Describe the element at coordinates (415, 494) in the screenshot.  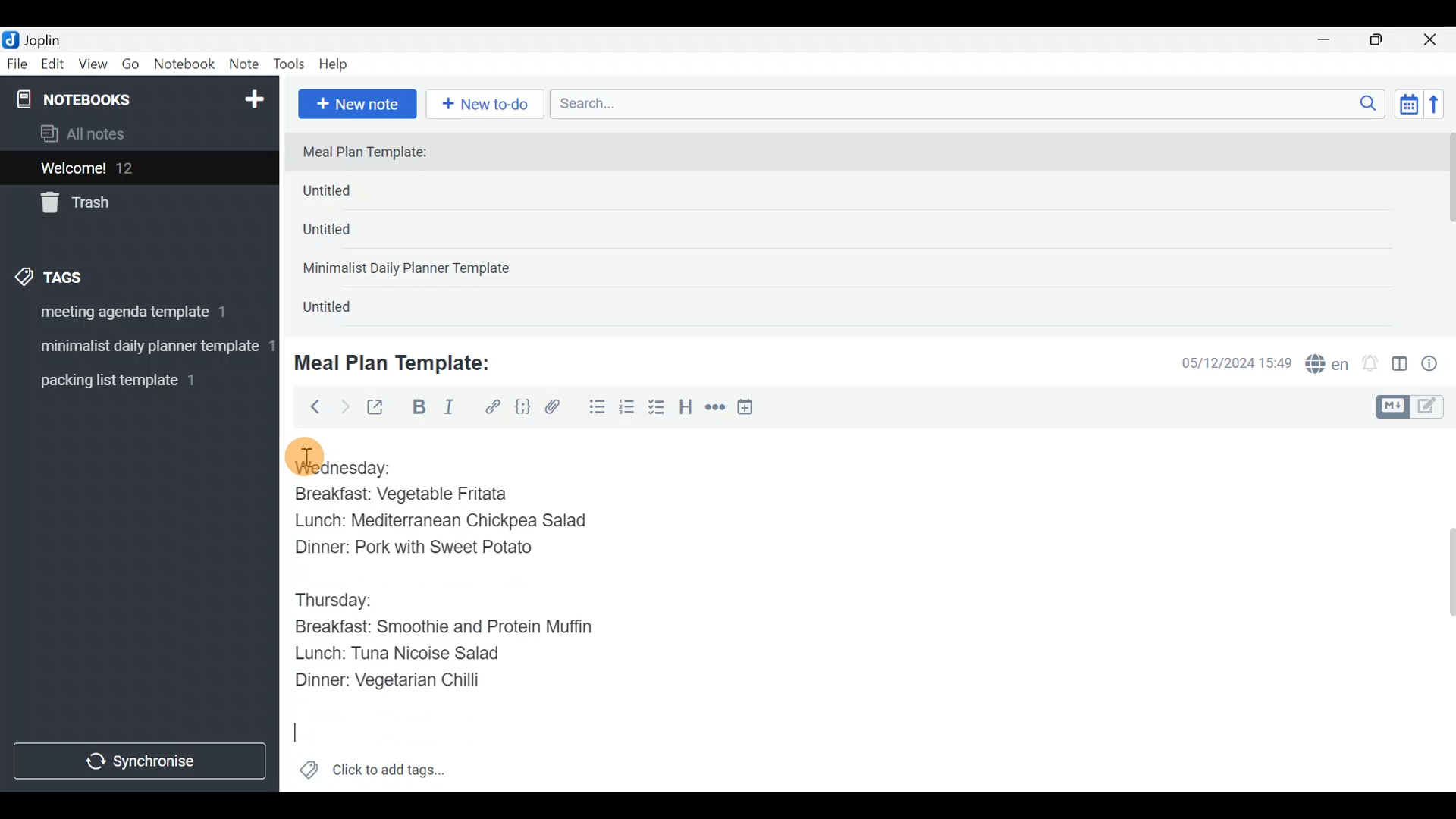
I see `Breakfast: Vegetable Fritata` at that location.